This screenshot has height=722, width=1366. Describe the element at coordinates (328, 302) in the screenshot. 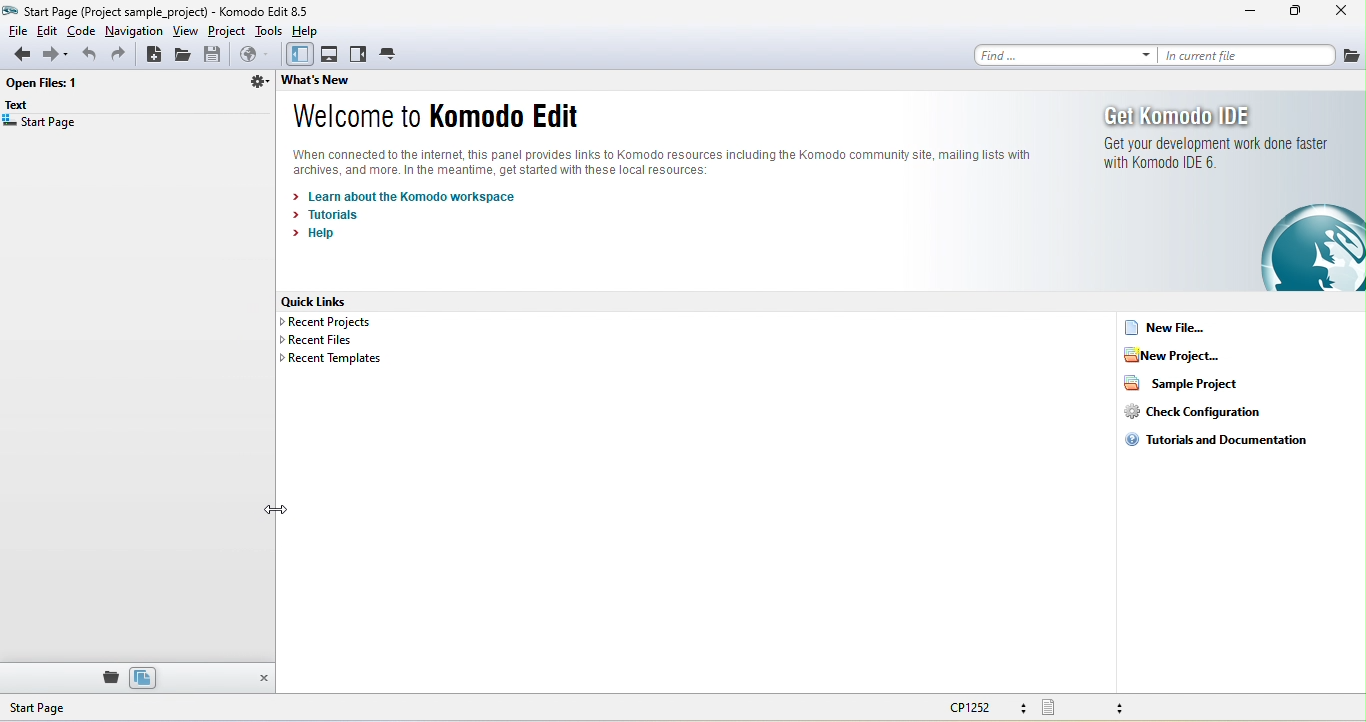

I see `quick lines` at that location.